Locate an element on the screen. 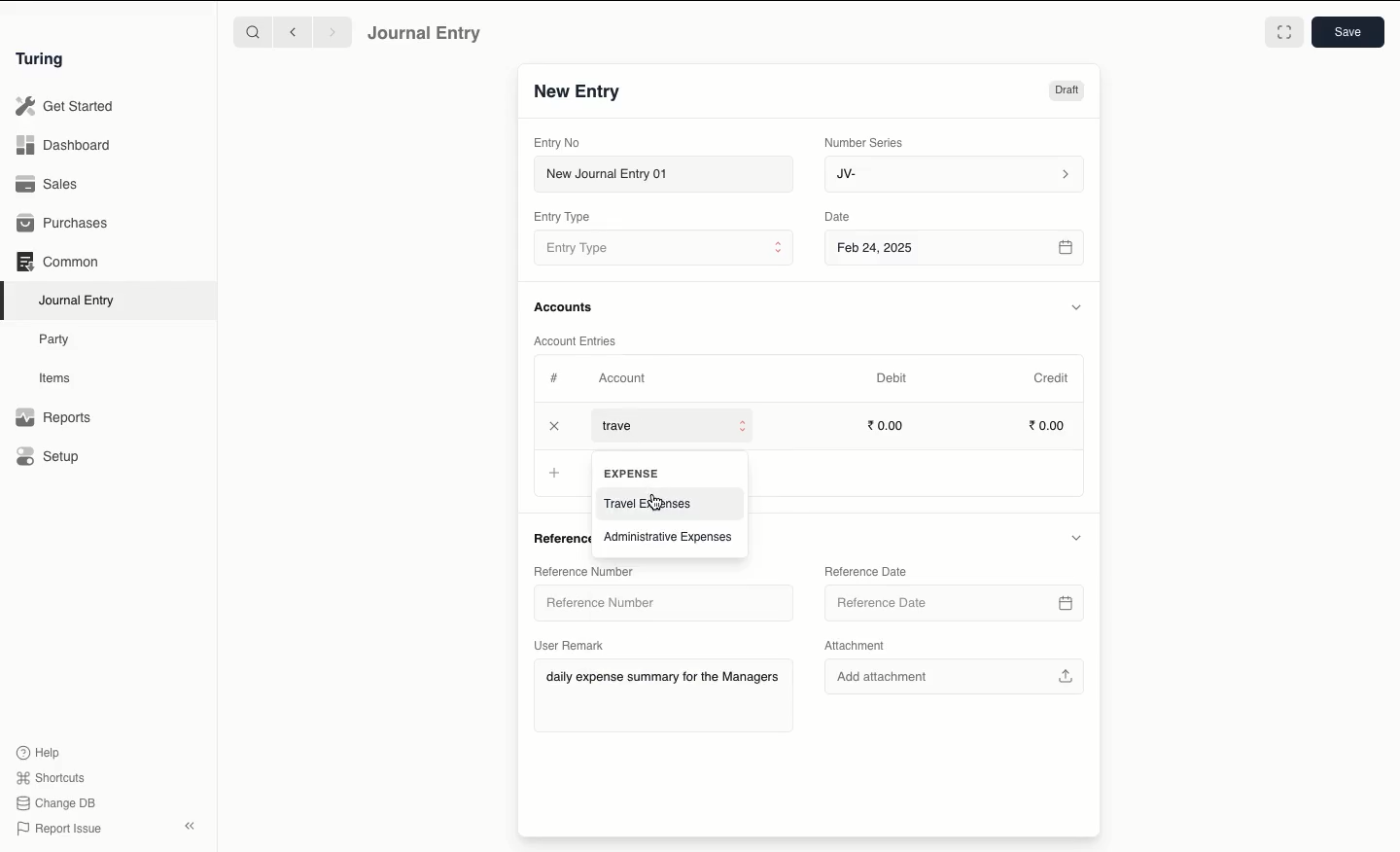 The width and height of the screenshot is (1400, 852). Date is located at coordinates (840, 216).